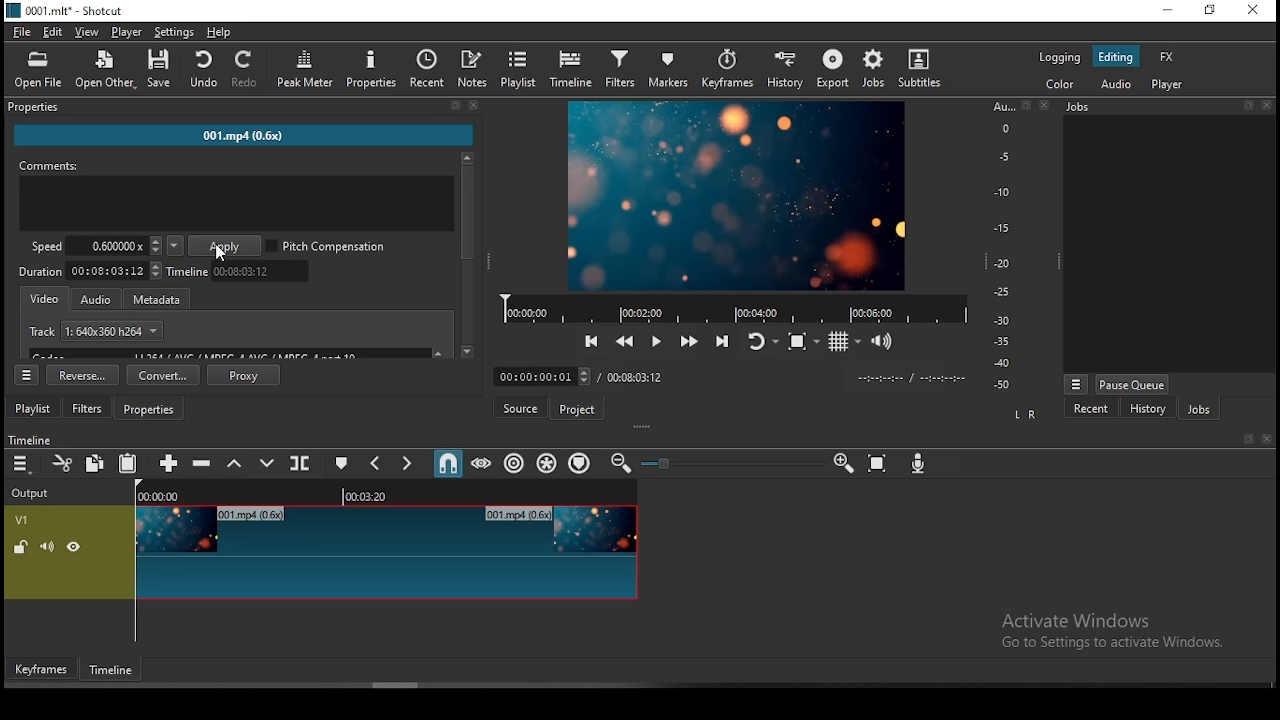 Image resolution: width=1280 pixels, height=720 pixels. What do you see at coordinates (256, 137) in the screenshot?
I see `001.mp4 (0.9x)` at bounding box center [256, 137].